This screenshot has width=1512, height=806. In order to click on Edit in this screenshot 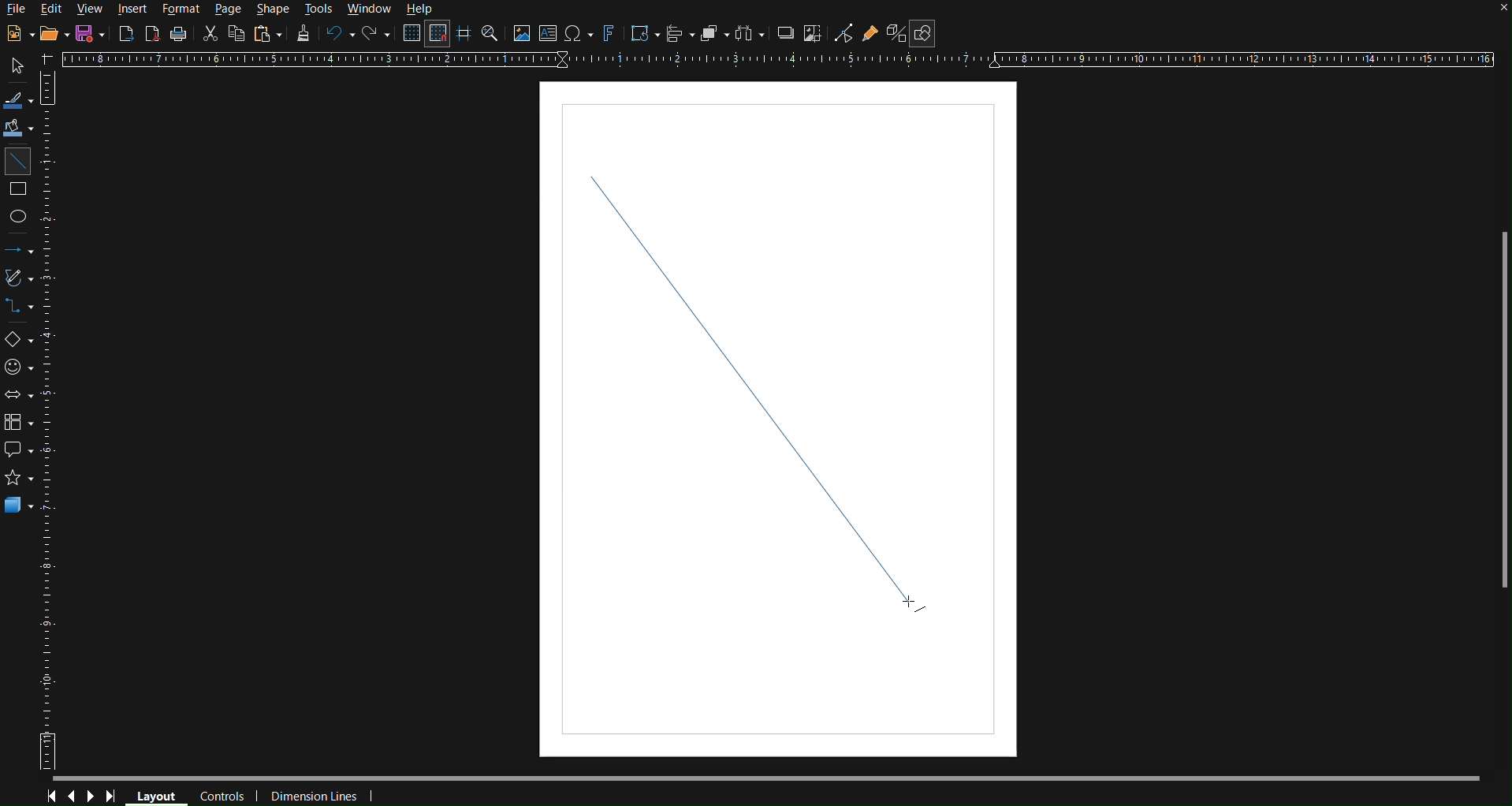, I will do `click(52, 9)`.